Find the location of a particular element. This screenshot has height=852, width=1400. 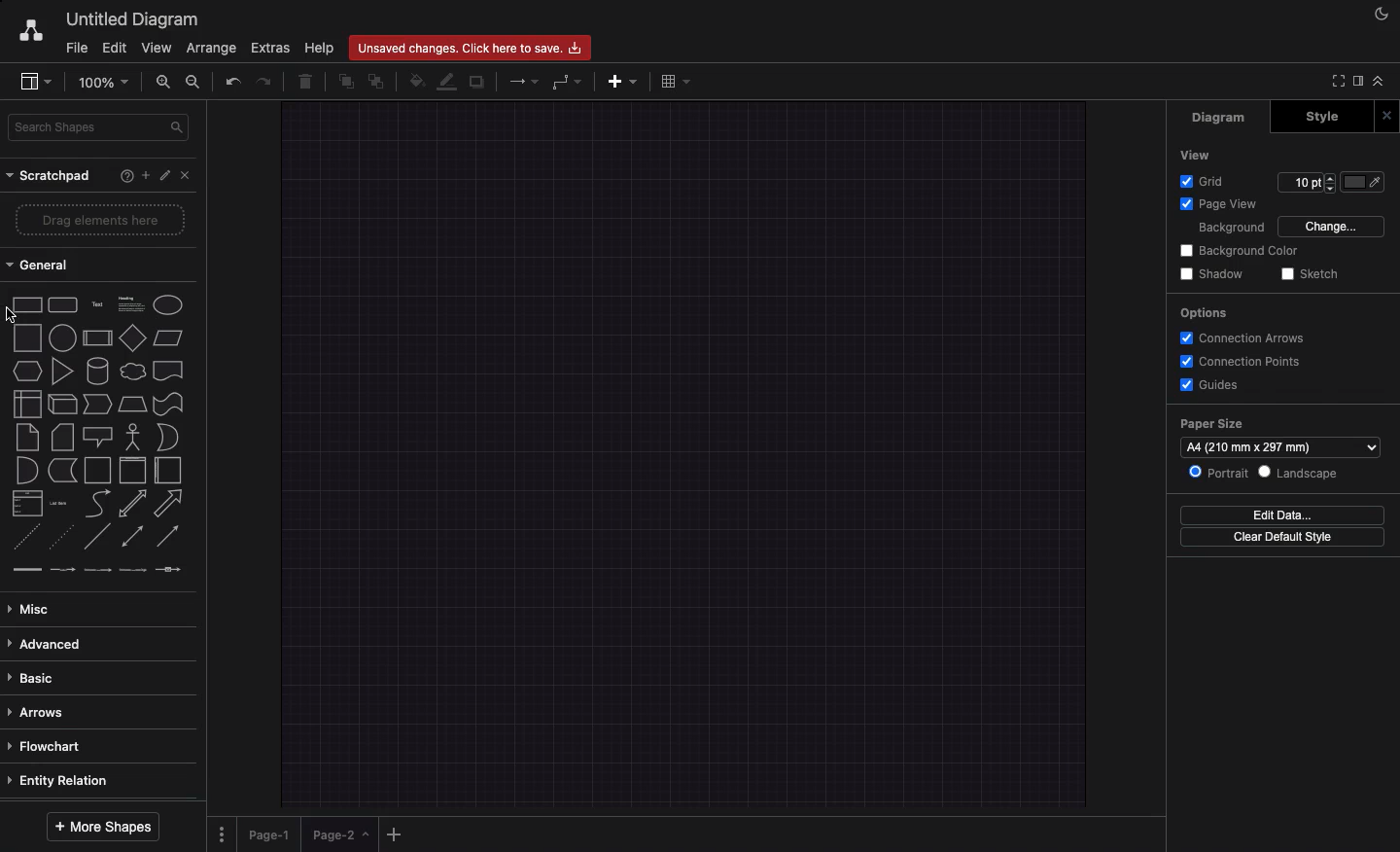

card is located at coordinates (61, 436).